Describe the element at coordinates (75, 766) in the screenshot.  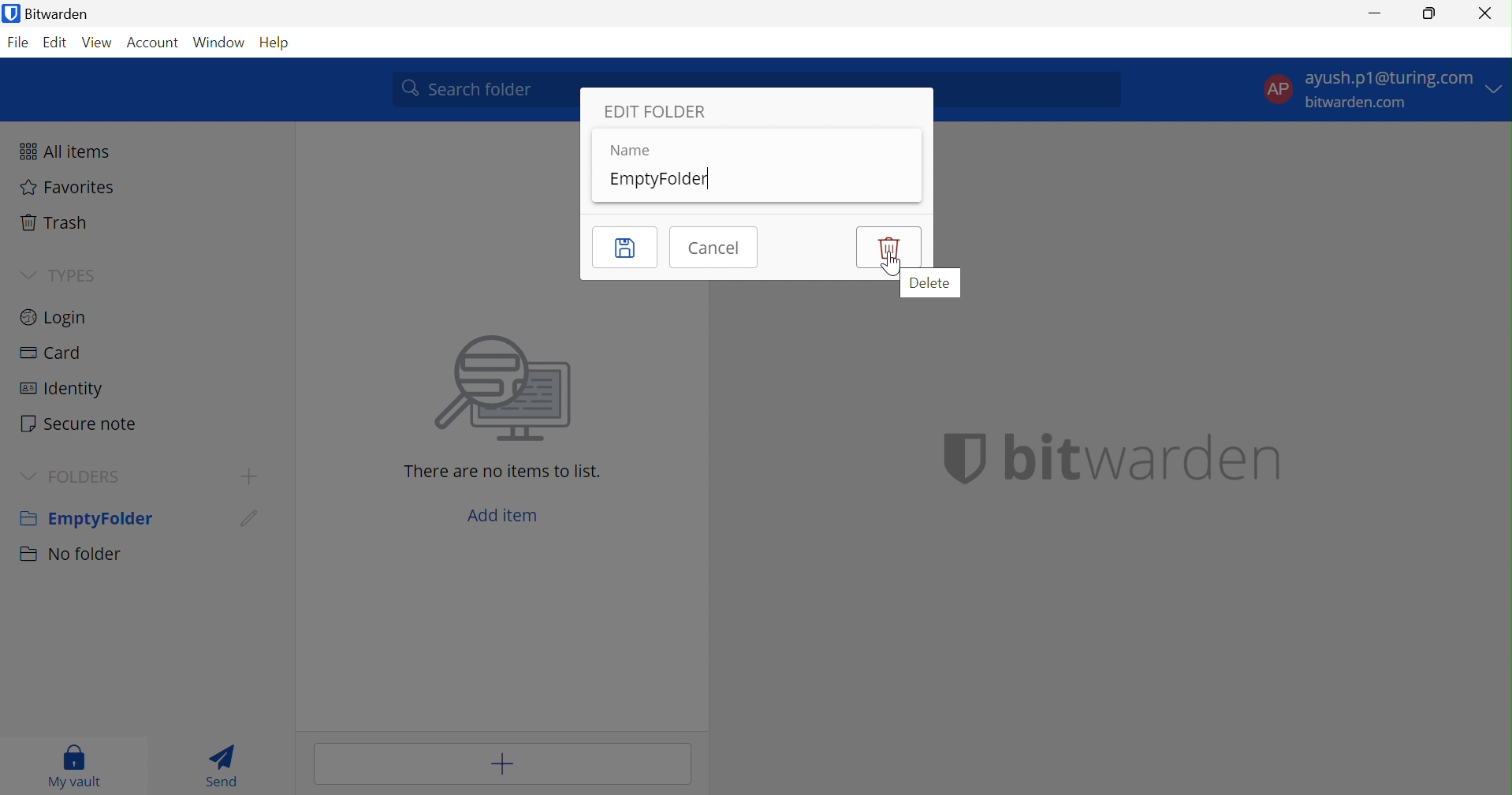
I see `My Vault` at that location.